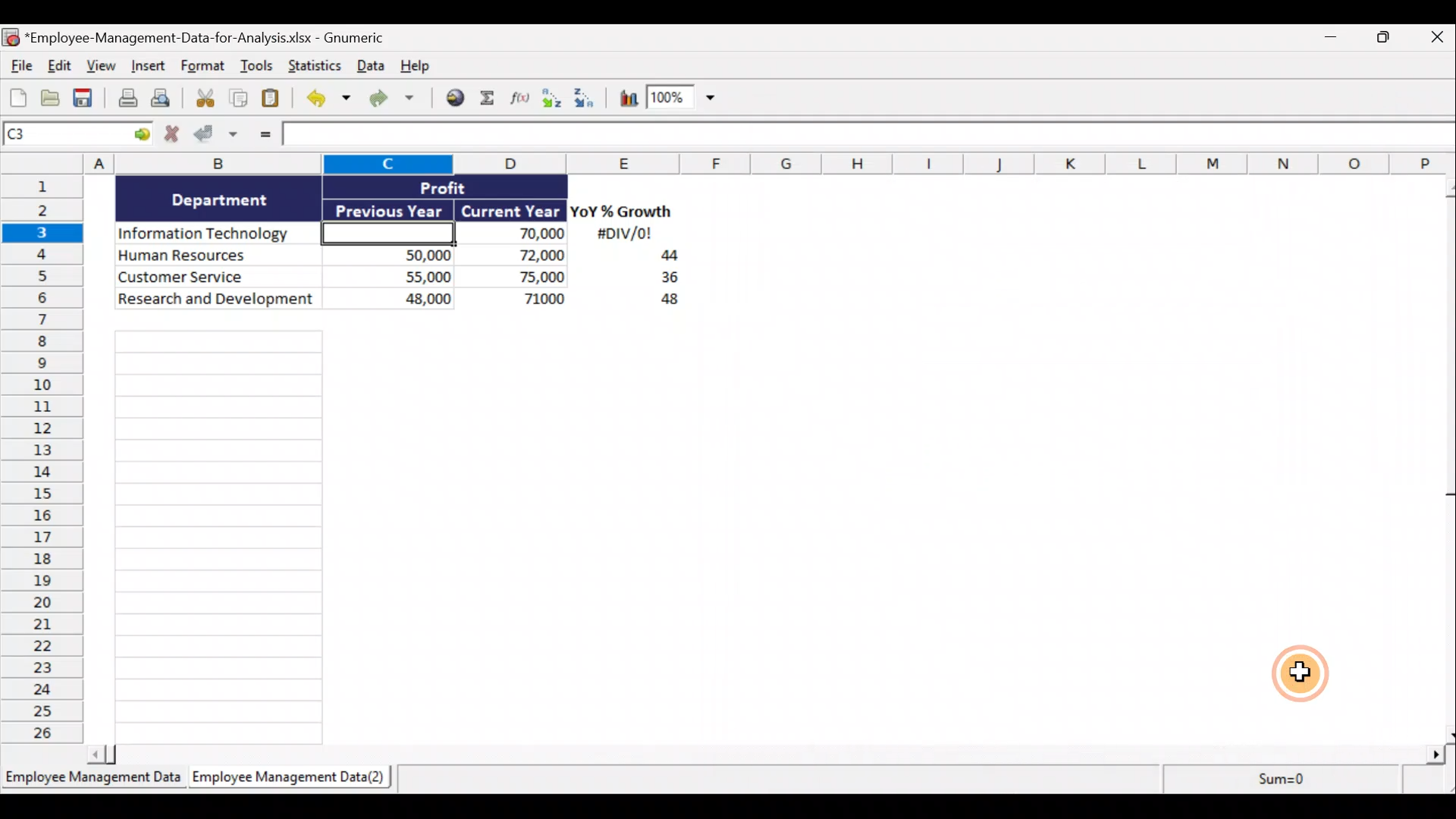  Describe the element at coordinates (10, 37) in the screenshot. I see `Gnumeric logo` at that location.